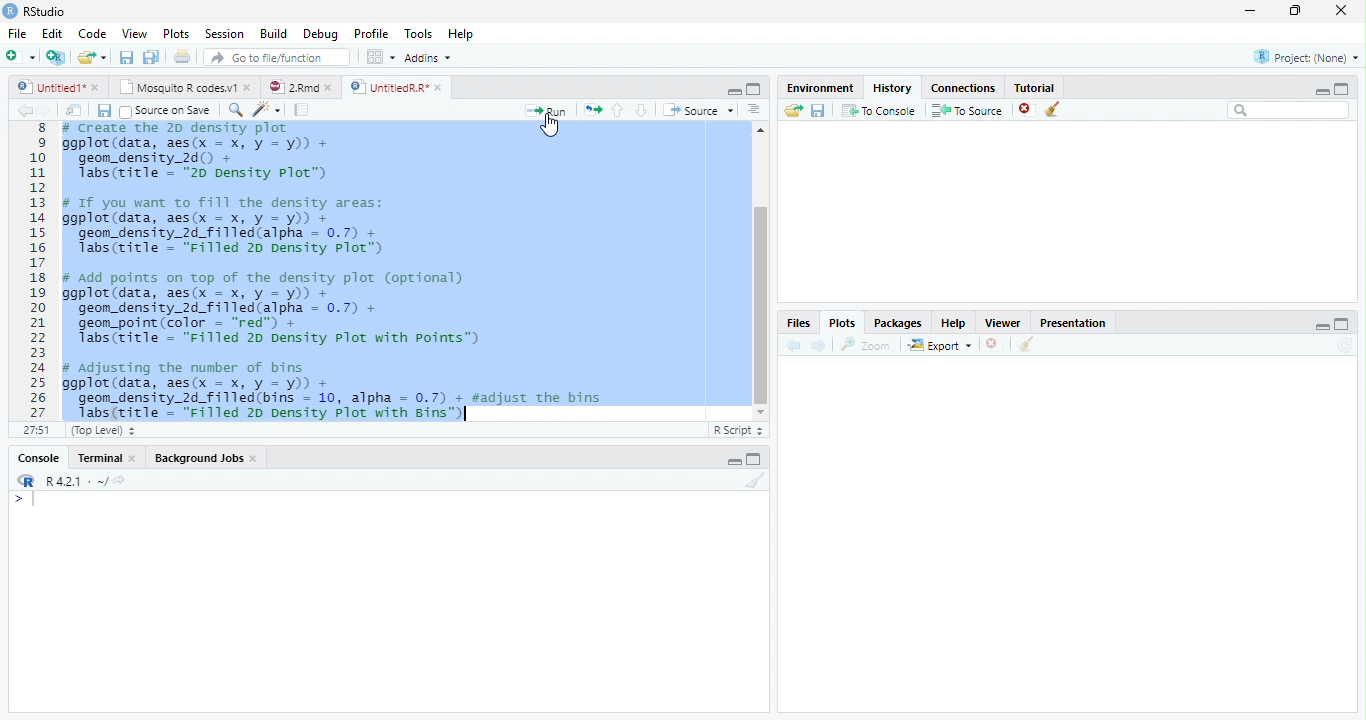 The width and height of the screenshot is (1366, 720). What do you see at coordinates (379, 57) in the screenshot?
I see `wrokspace pan` at bounding box center [379, 57].